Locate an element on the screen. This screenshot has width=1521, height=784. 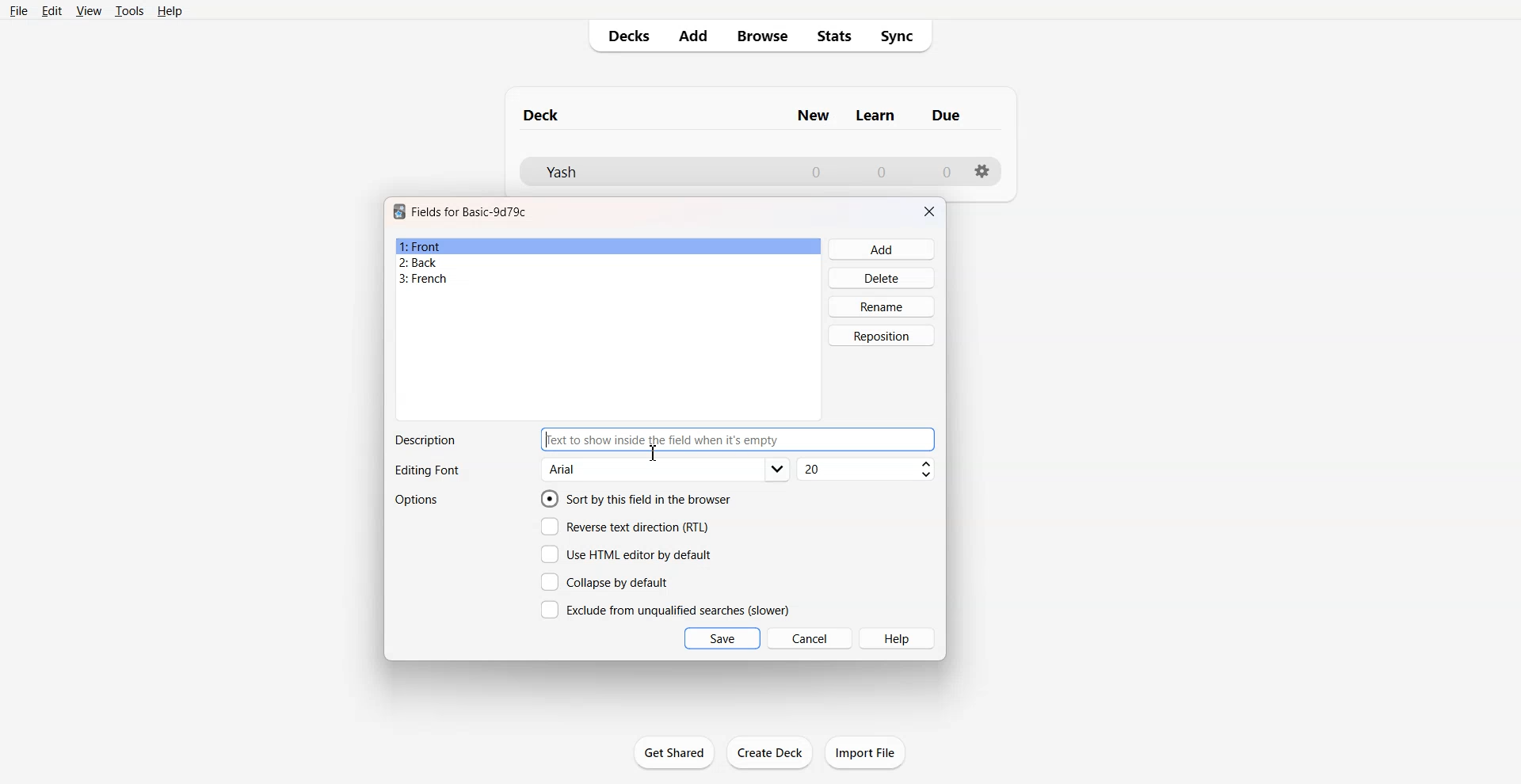
Help is located at coordinates (898, 638).